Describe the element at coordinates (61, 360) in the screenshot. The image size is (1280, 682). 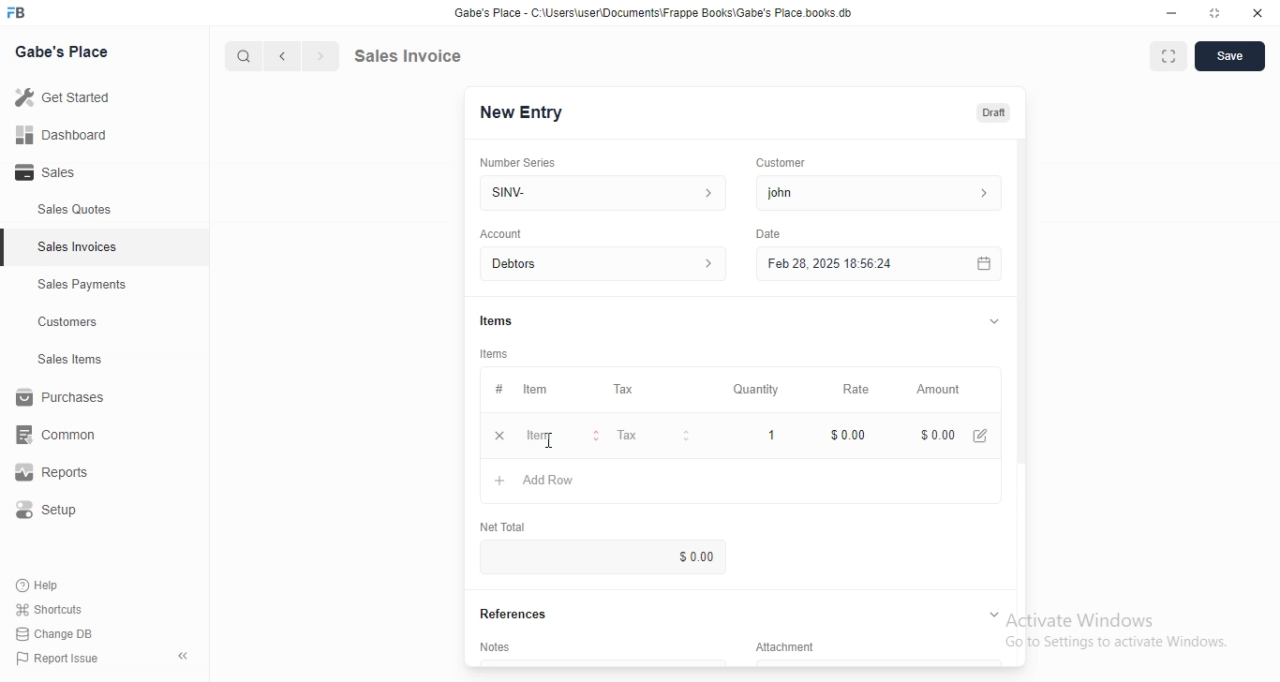
I see `Sales Items` at that location.